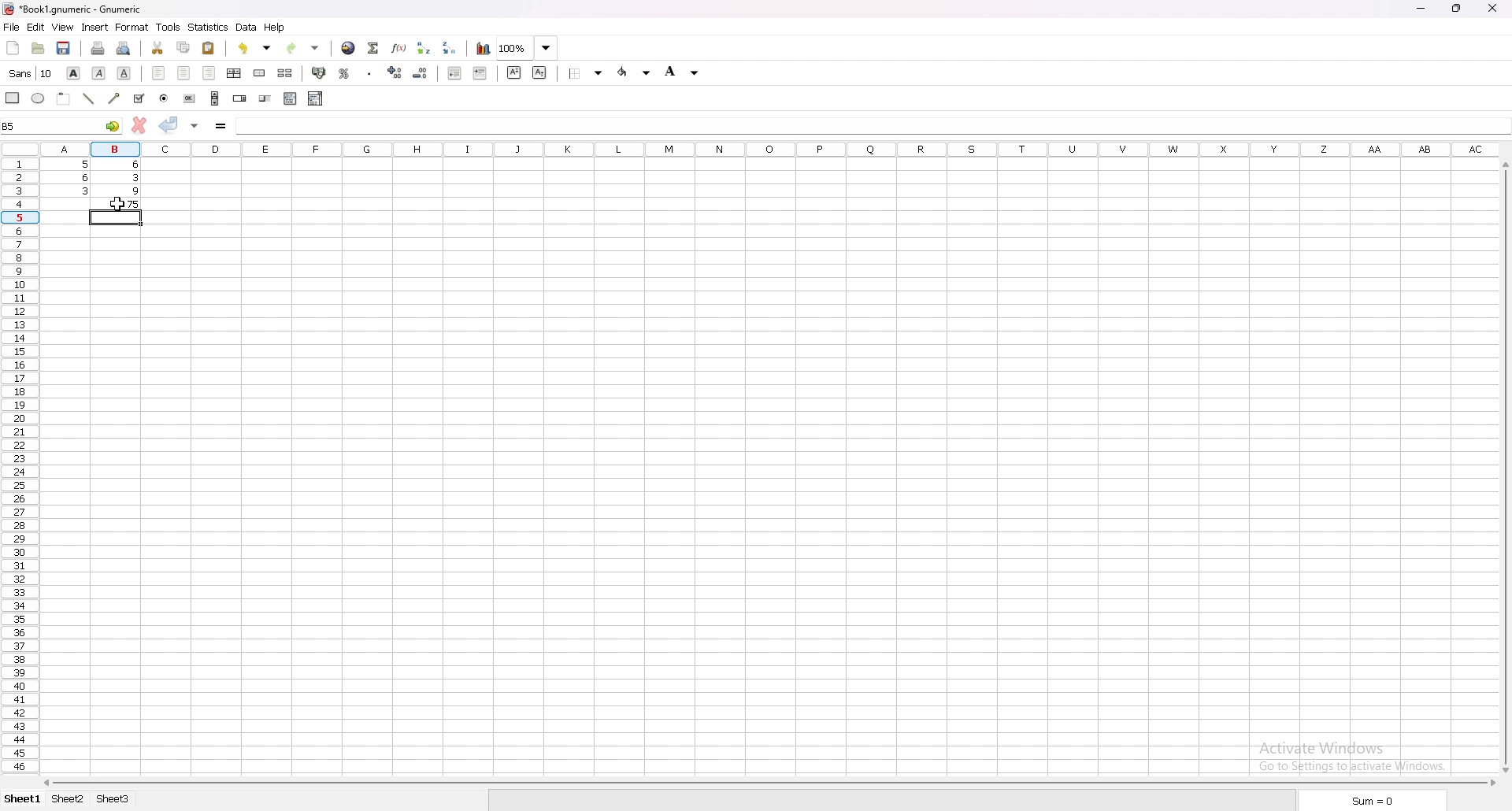 Image resolution: width=1512 pixels, height=811 pixels. I want to click on rectangle, so click(12, 98).